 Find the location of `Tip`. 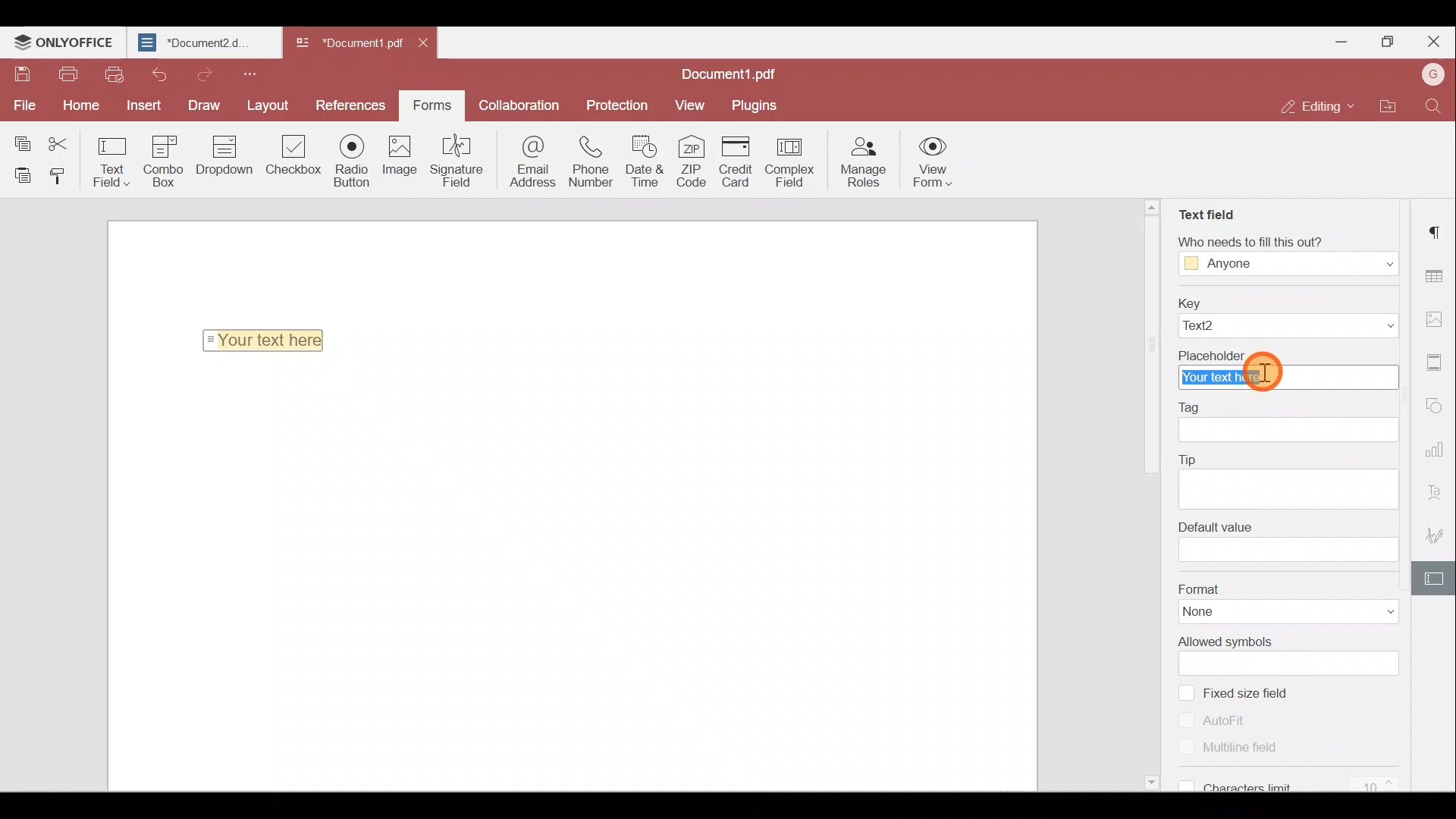

Tip is located at coordinates (1191, 457).